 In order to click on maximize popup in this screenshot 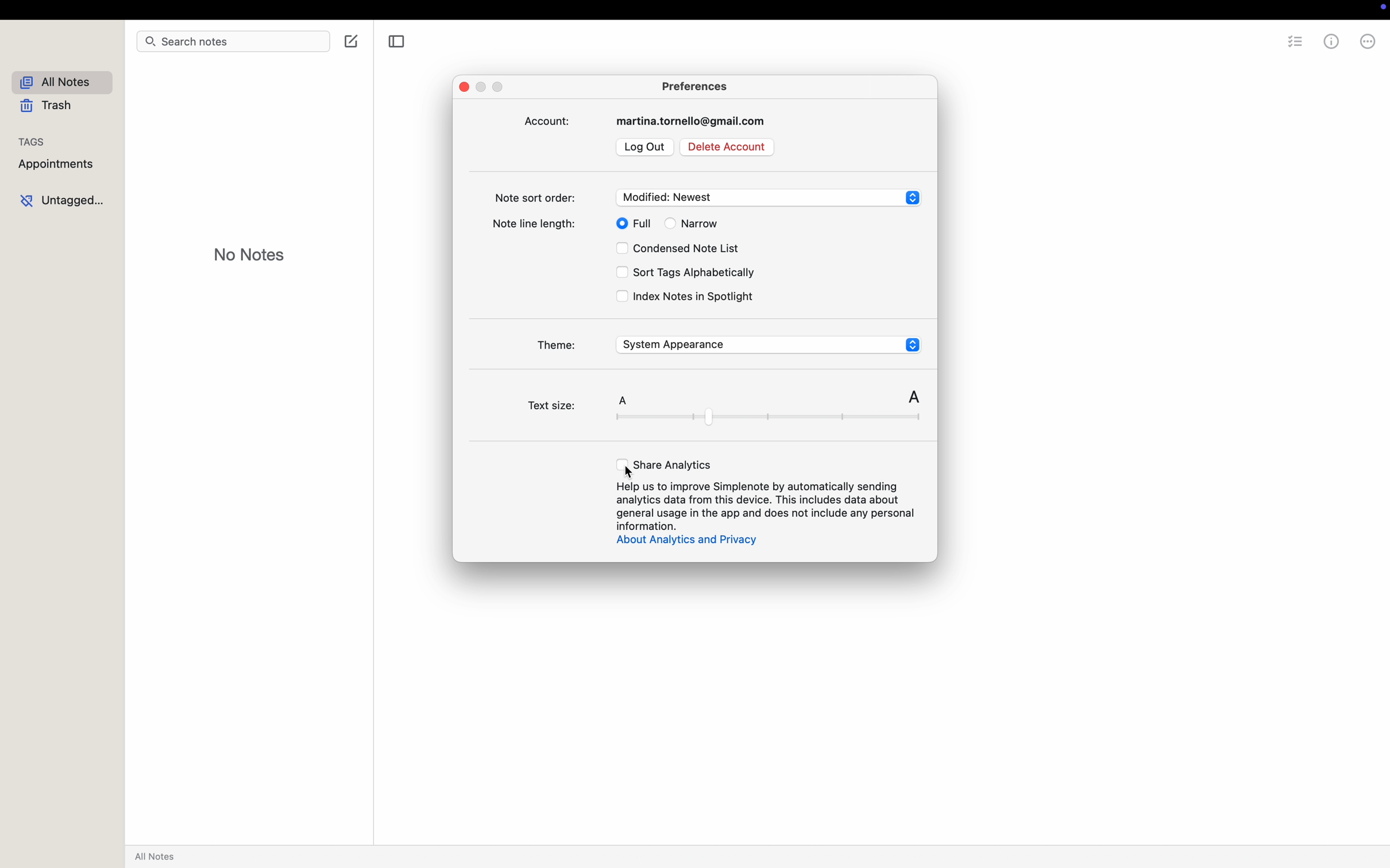, I will do `click(500, 87)`.